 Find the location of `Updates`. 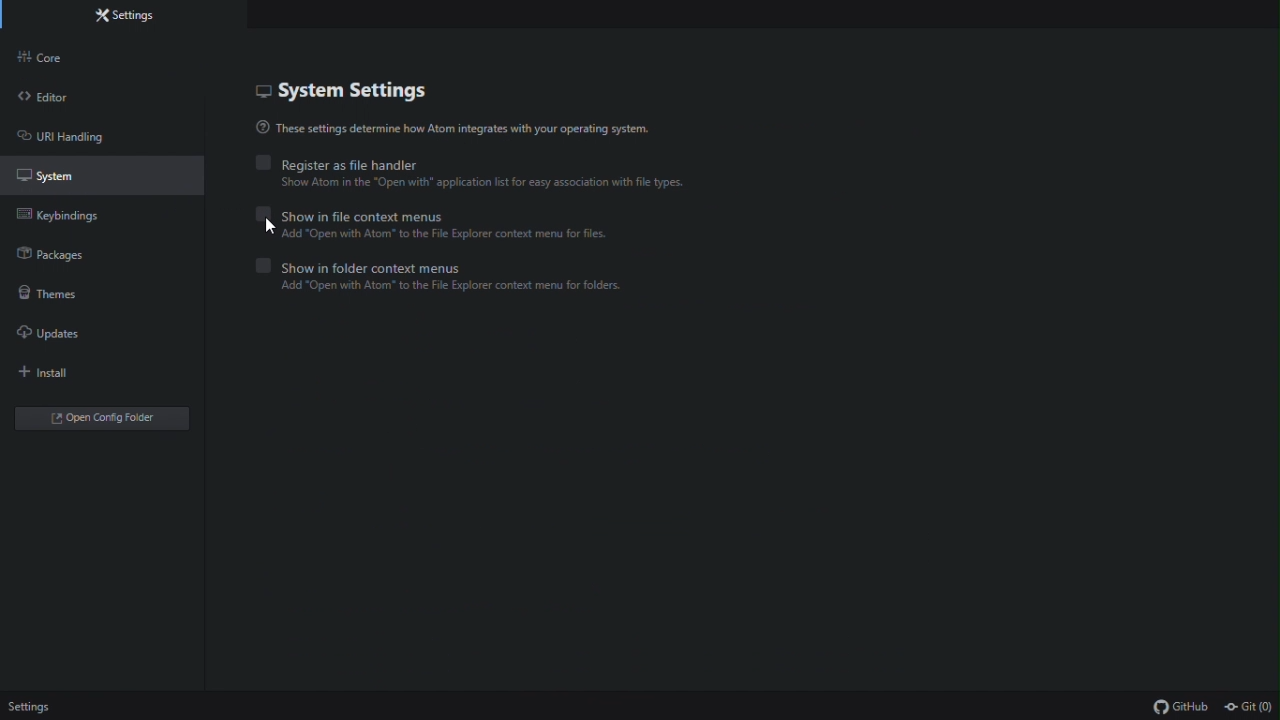

Updates is located at coordinates (69, 339).